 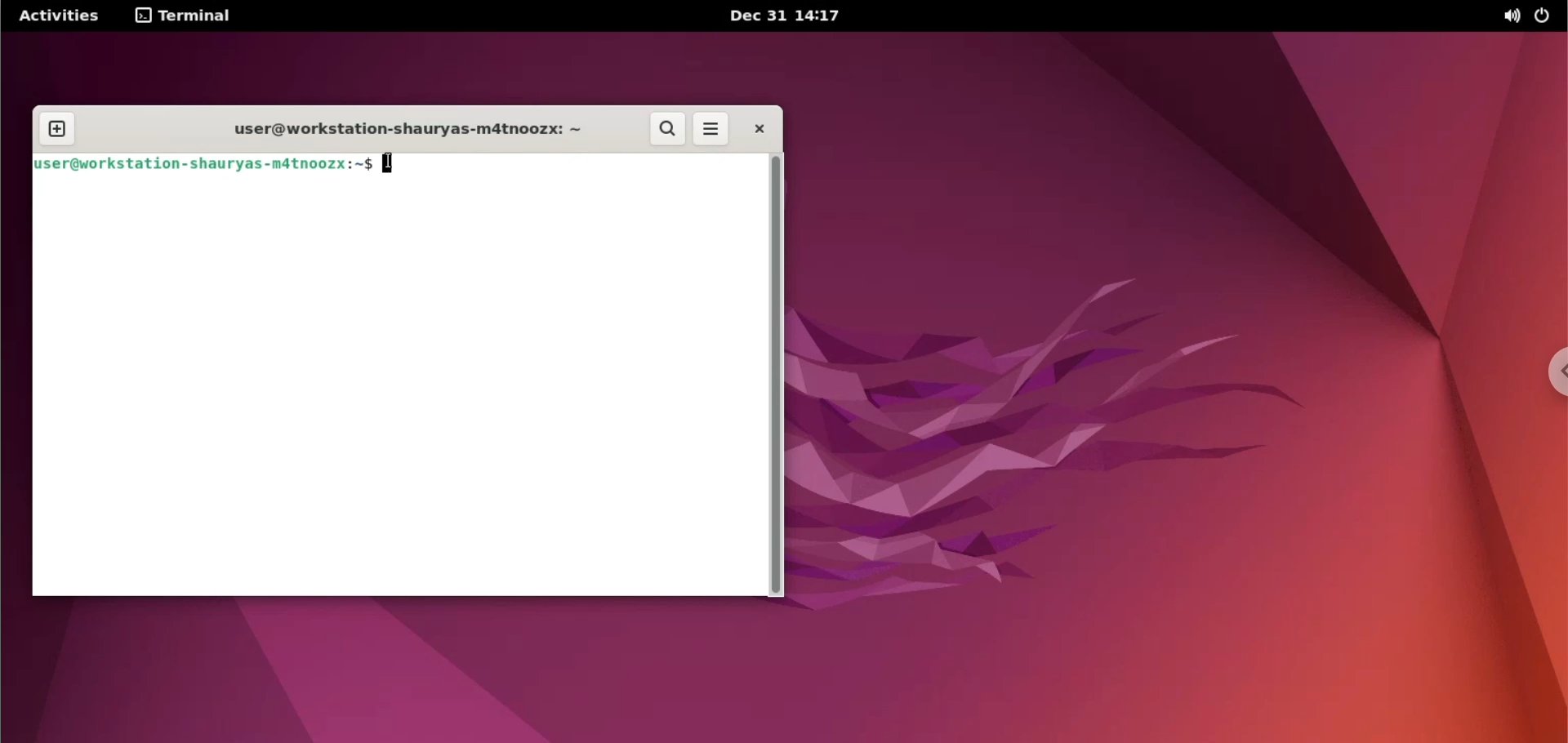 What do you see at coordinates (199, 165) in the screenshot?
I see `user@workstation -shauryas-mdtnoozx:~$ ` at bounding box center [199, 165].